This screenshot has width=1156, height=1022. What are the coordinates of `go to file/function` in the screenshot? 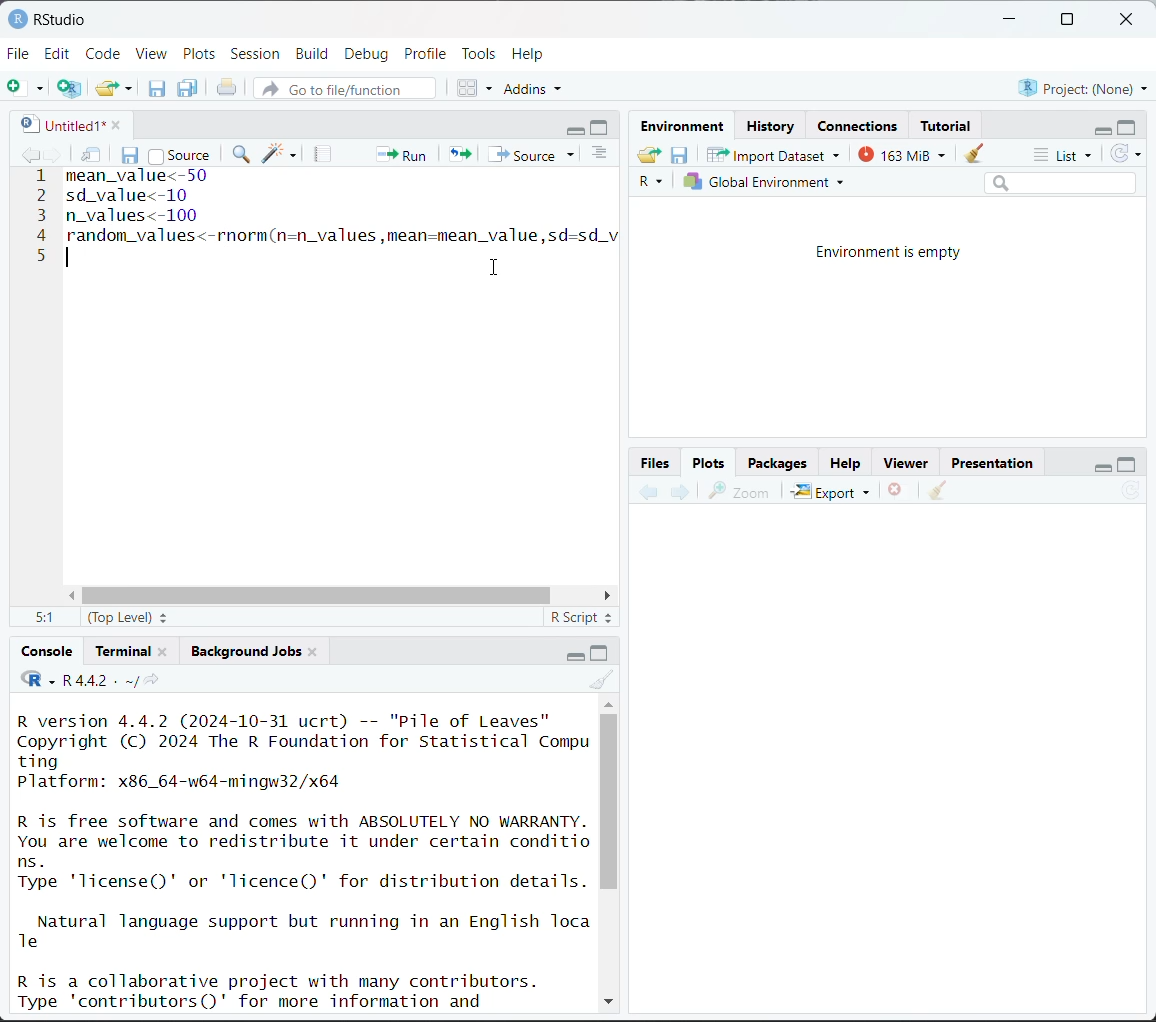 It's located at (343, 90).